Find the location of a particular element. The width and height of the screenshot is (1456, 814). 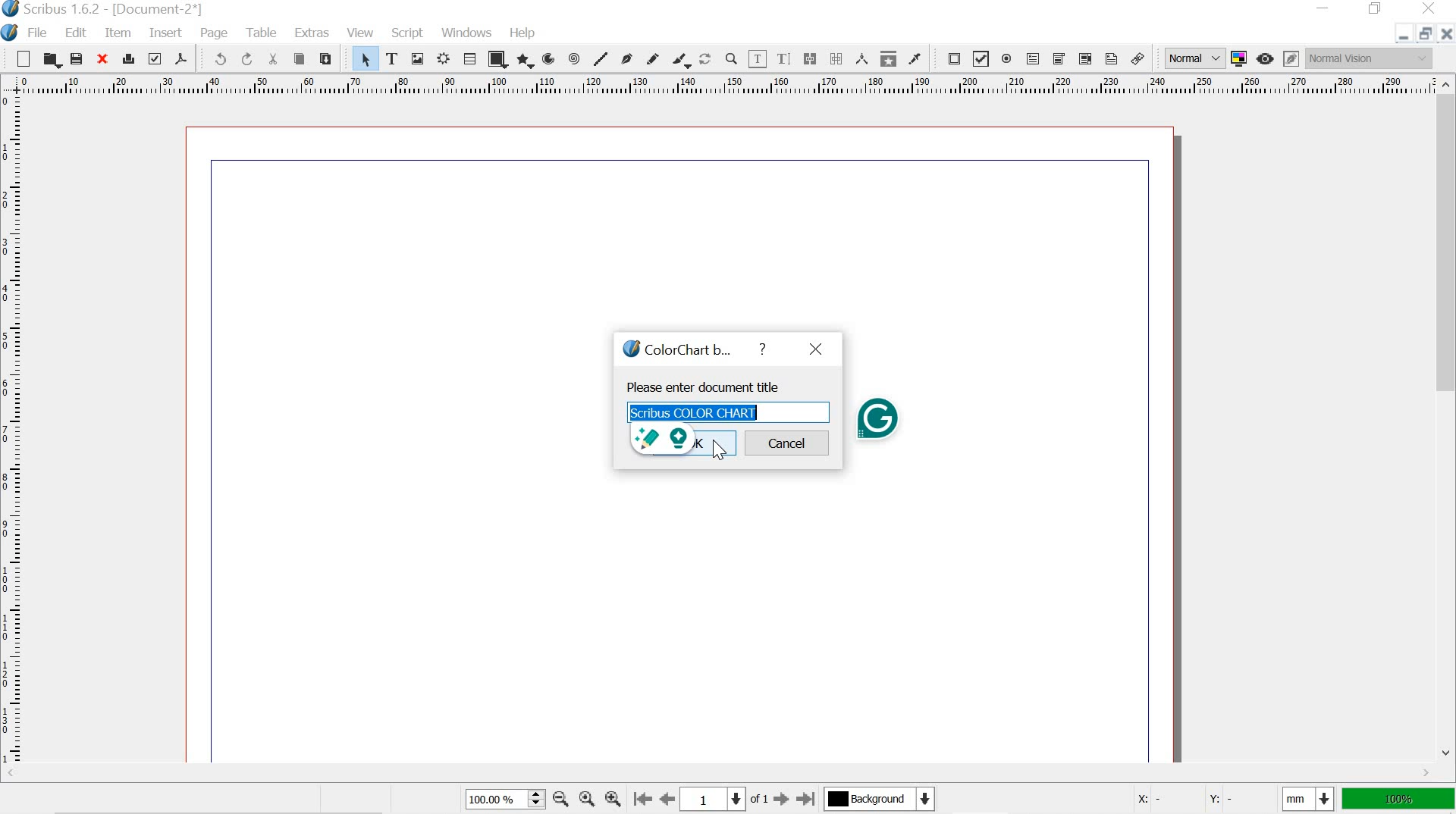

CANCEL is located at coordinates (787, 443).